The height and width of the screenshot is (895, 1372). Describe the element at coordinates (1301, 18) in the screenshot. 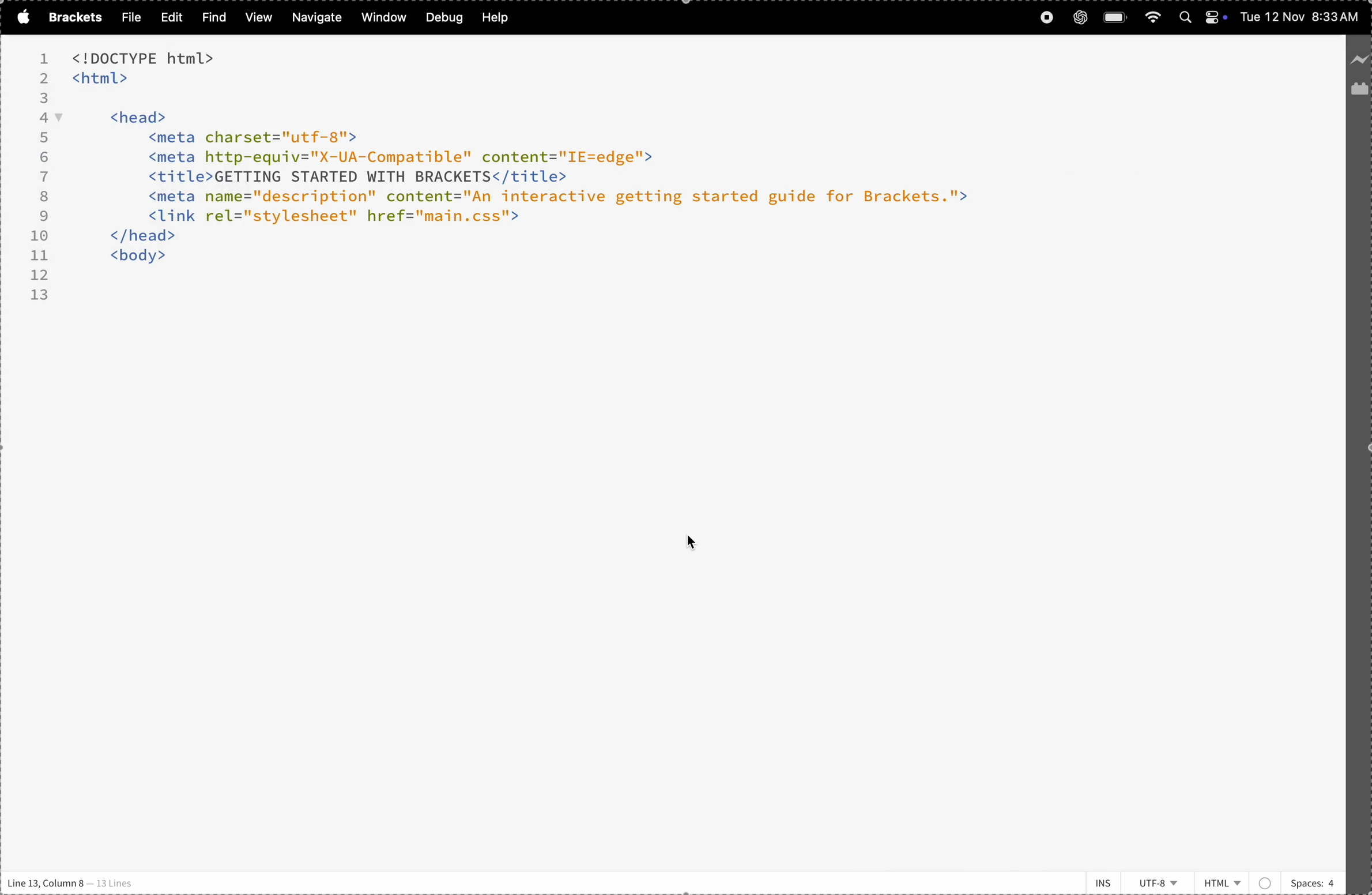

I see `date and time` at that location.